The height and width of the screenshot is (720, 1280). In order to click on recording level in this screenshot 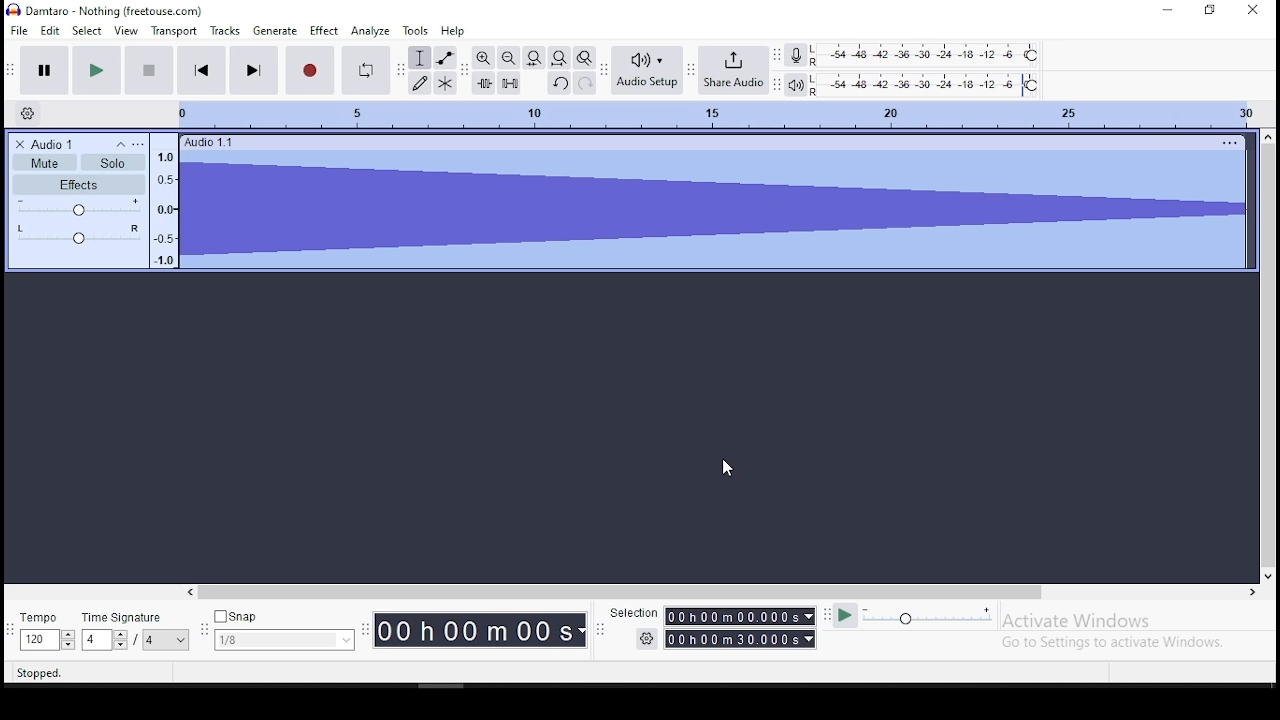, I will do `click(932, 55)`.